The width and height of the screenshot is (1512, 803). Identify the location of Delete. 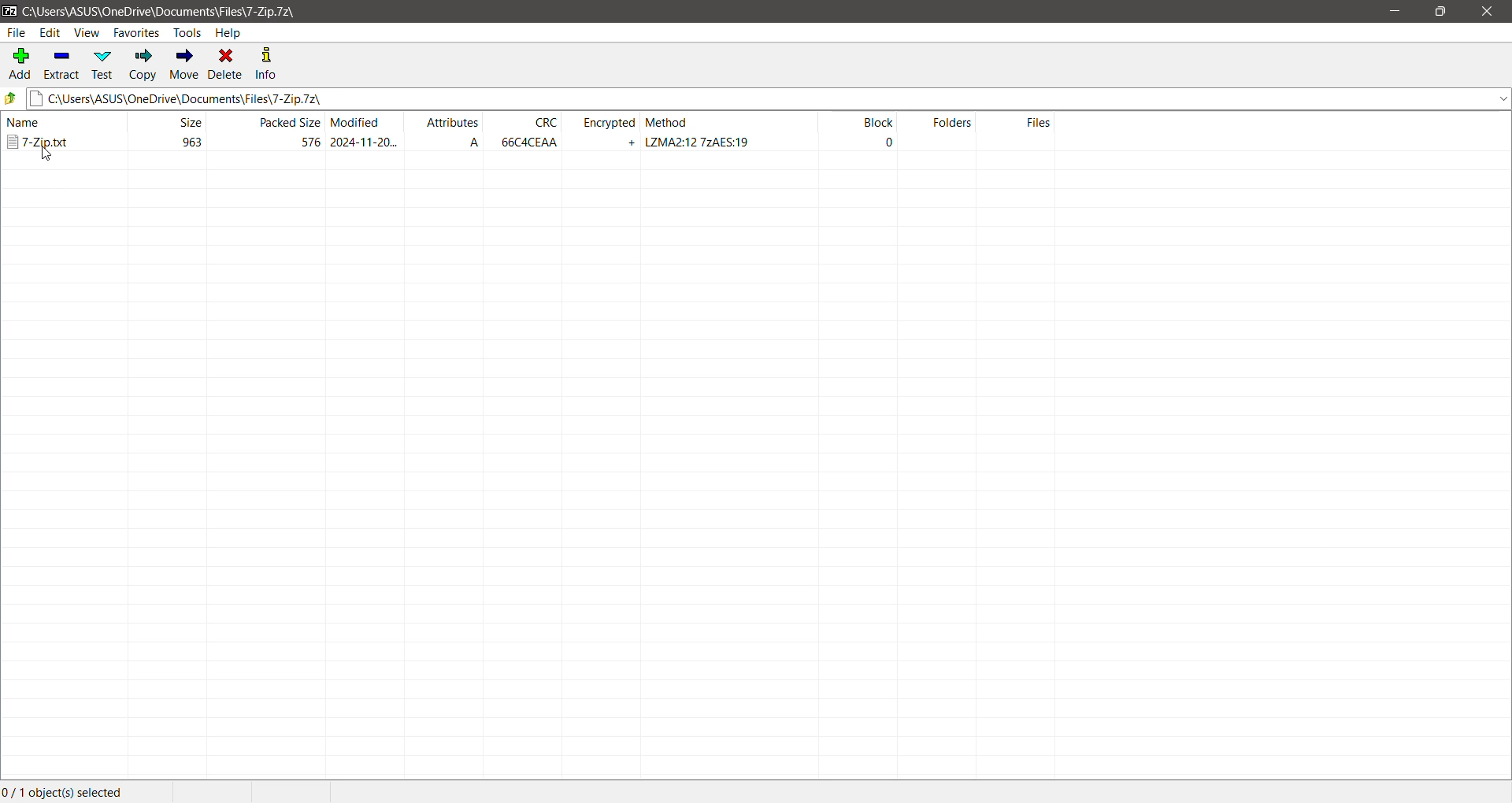
(226, 63).